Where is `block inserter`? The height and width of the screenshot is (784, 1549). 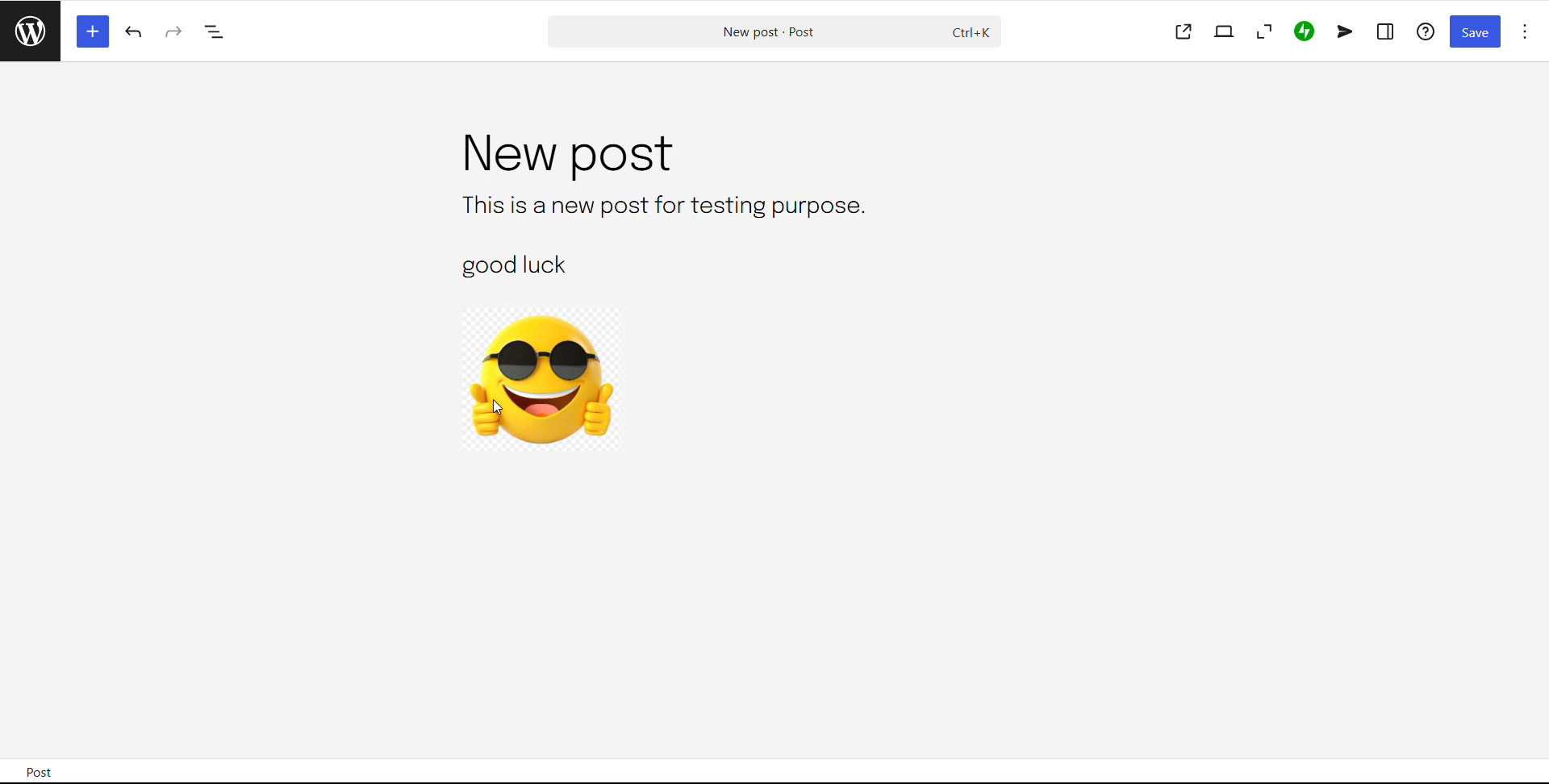
block inserter is located at coordinates (91, 31).